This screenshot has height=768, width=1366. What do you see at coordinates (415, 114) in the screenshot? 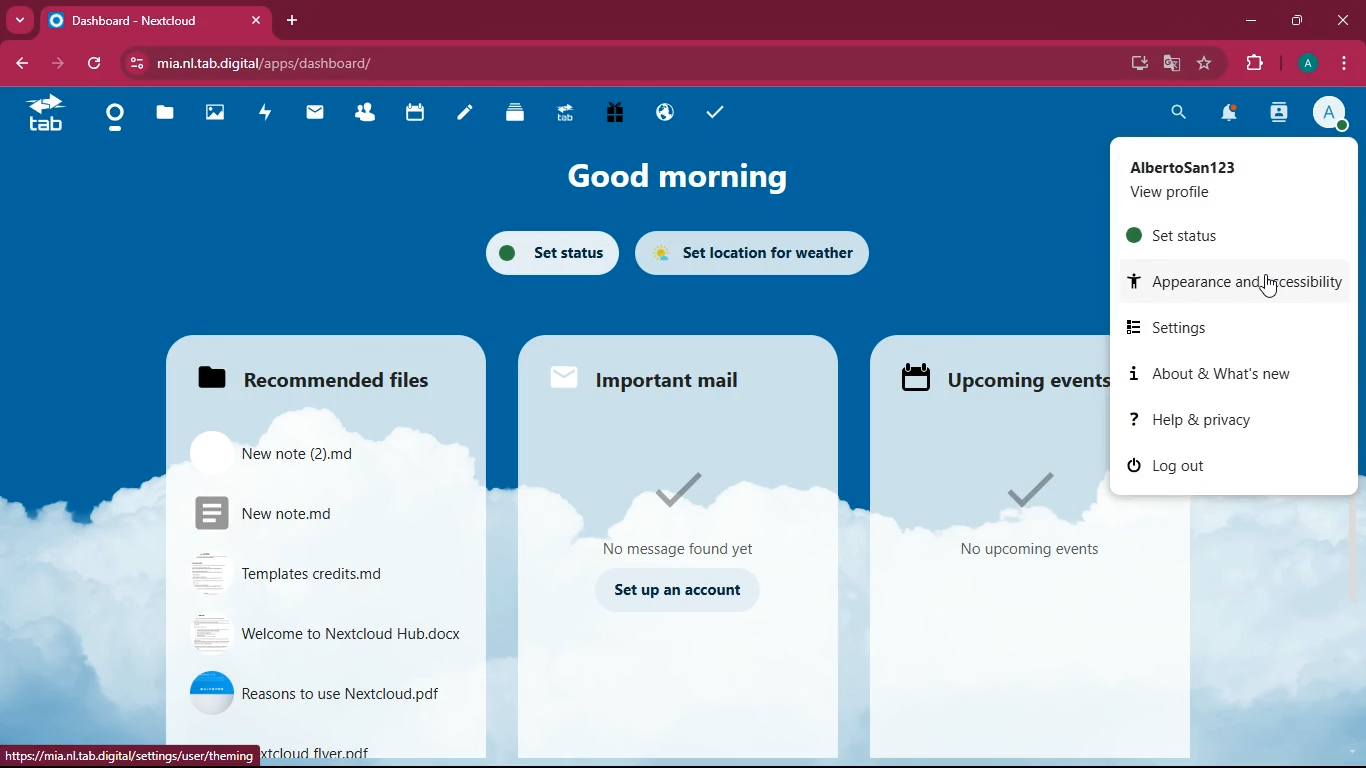
I see `calendar` at bounding box center [415, 114].